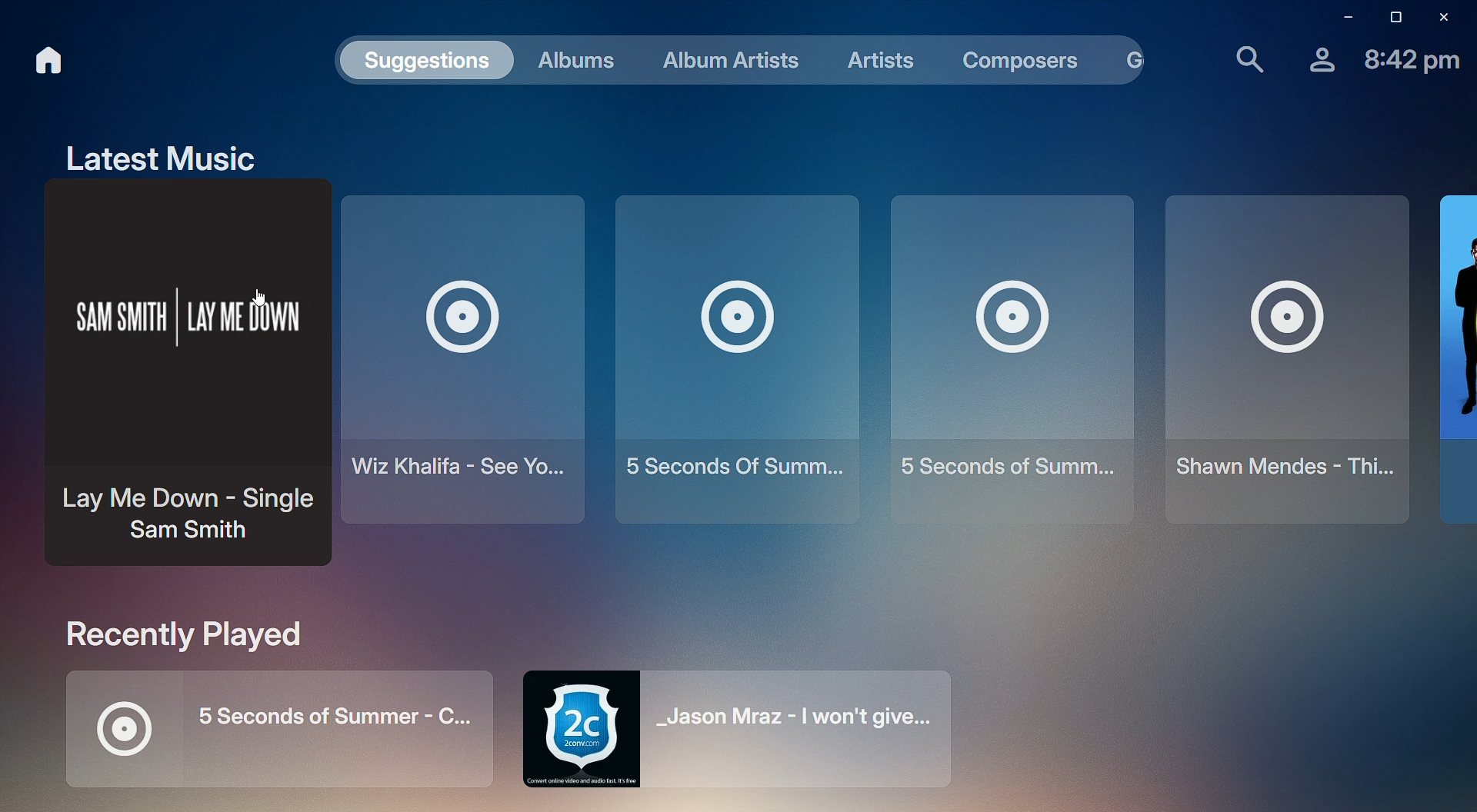 This screenshot has width=1477, height=812. I want to click on Albums, so click(580, 58).